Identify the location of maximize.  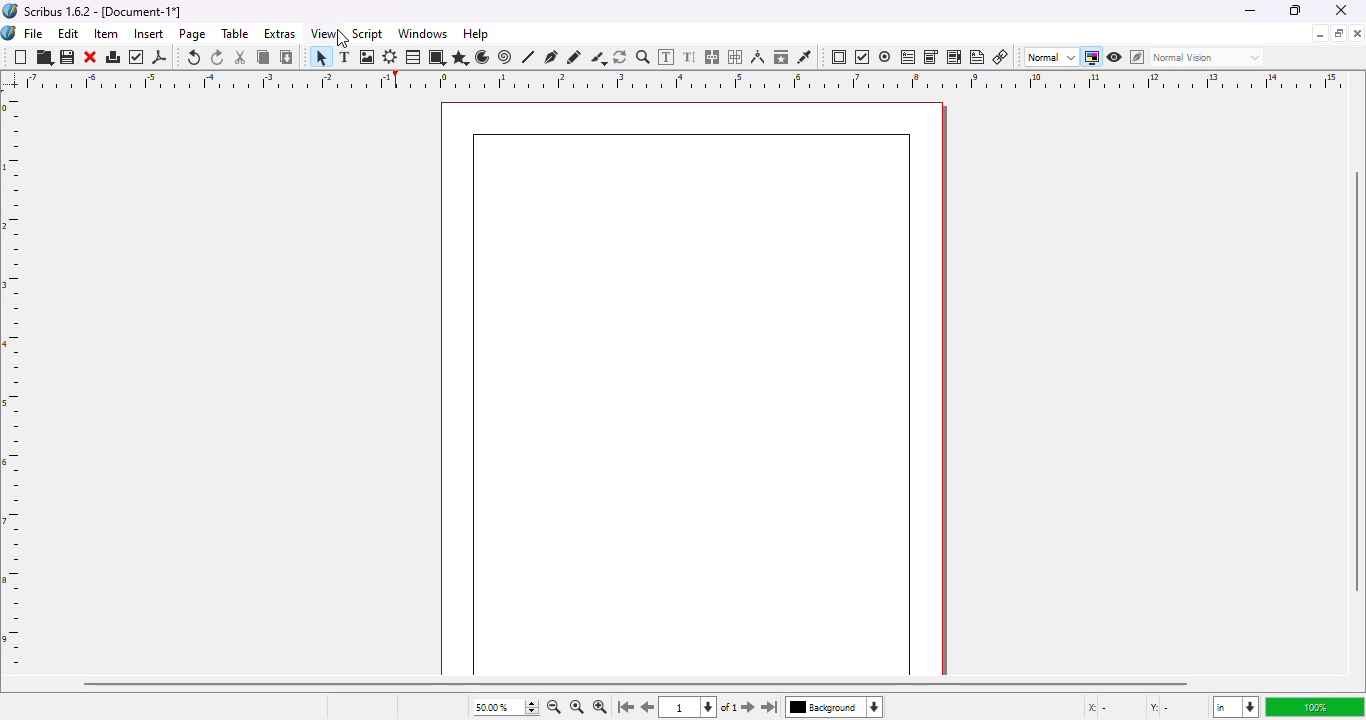
(1294, 10).